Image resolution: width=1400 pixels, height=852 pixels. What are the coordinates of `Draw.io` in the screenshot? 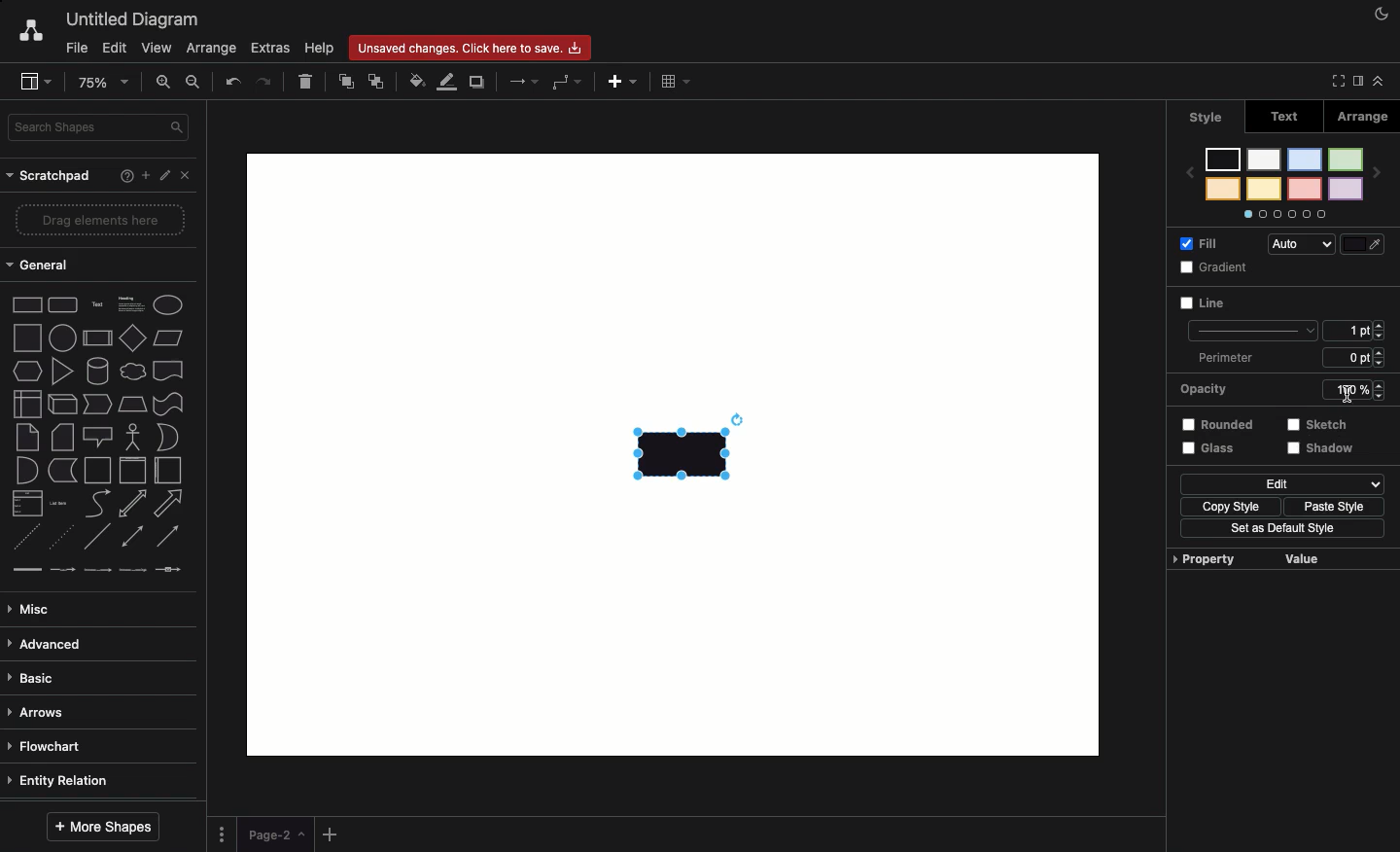 It's located at (32, 34).